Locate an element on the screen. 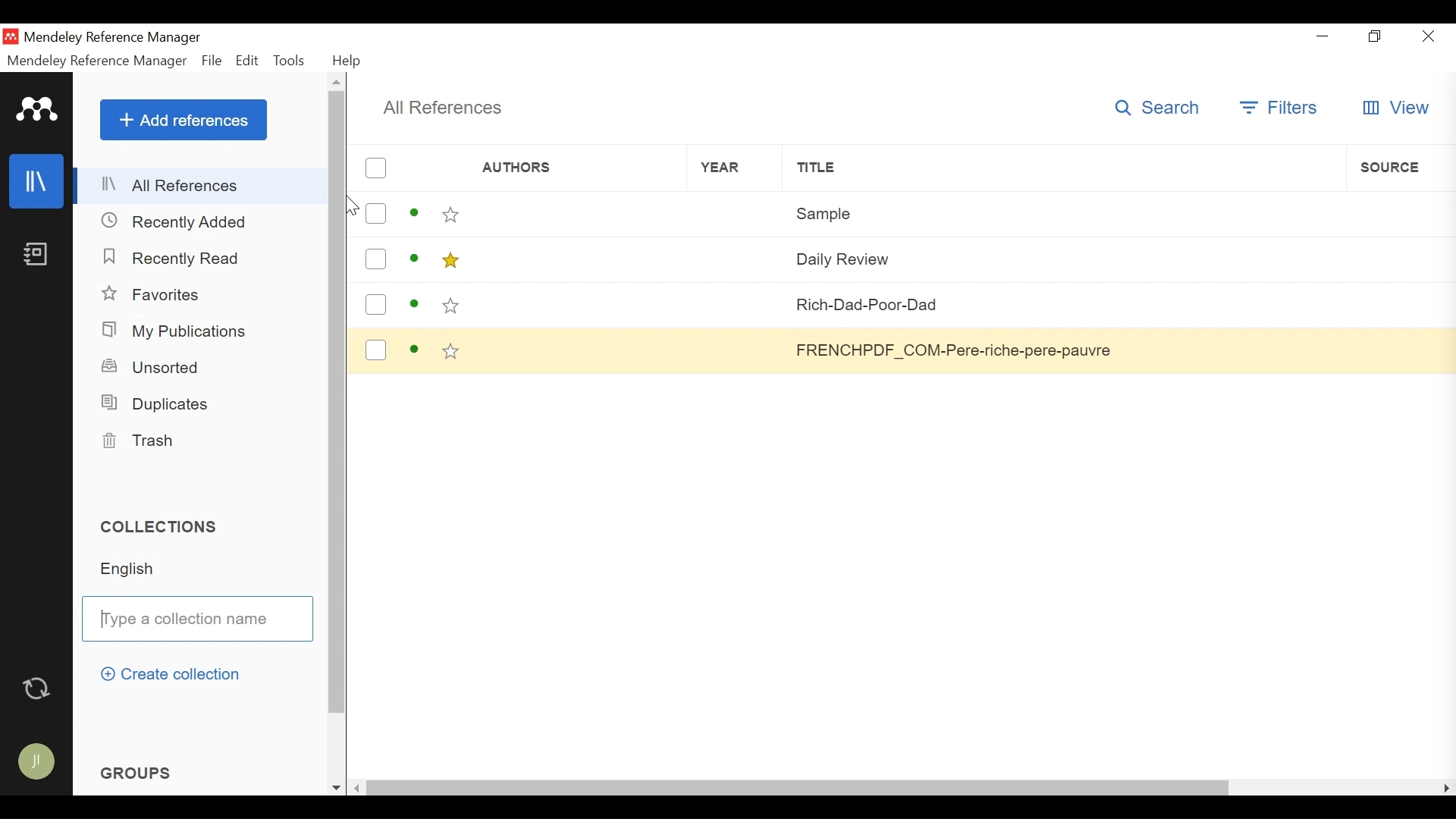 The width and height of the screenshot is (1456, 819). (un)select is located at coordinates (375, 214).